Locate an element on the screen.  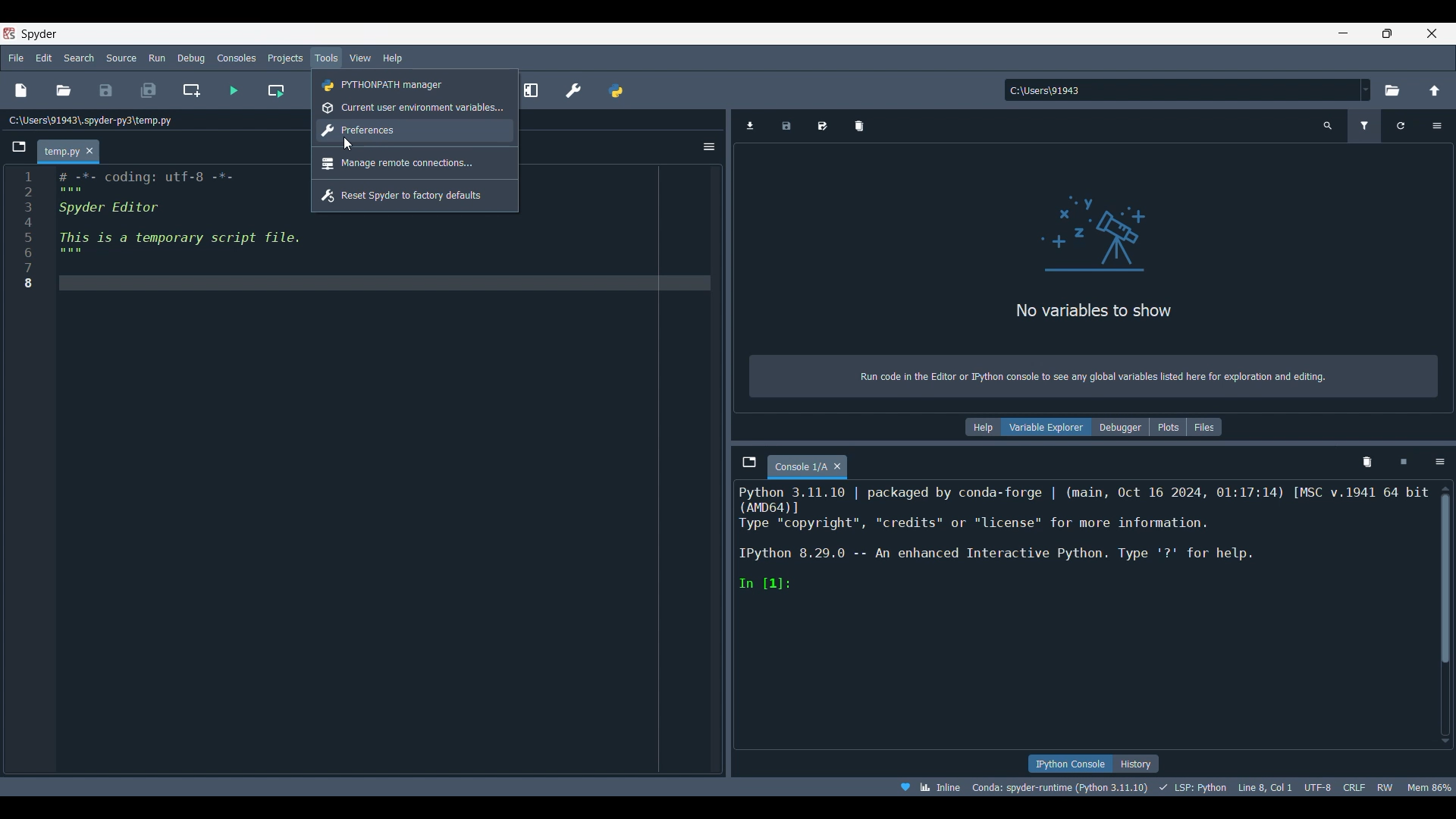
File menu is located at coordinates (16, 55).